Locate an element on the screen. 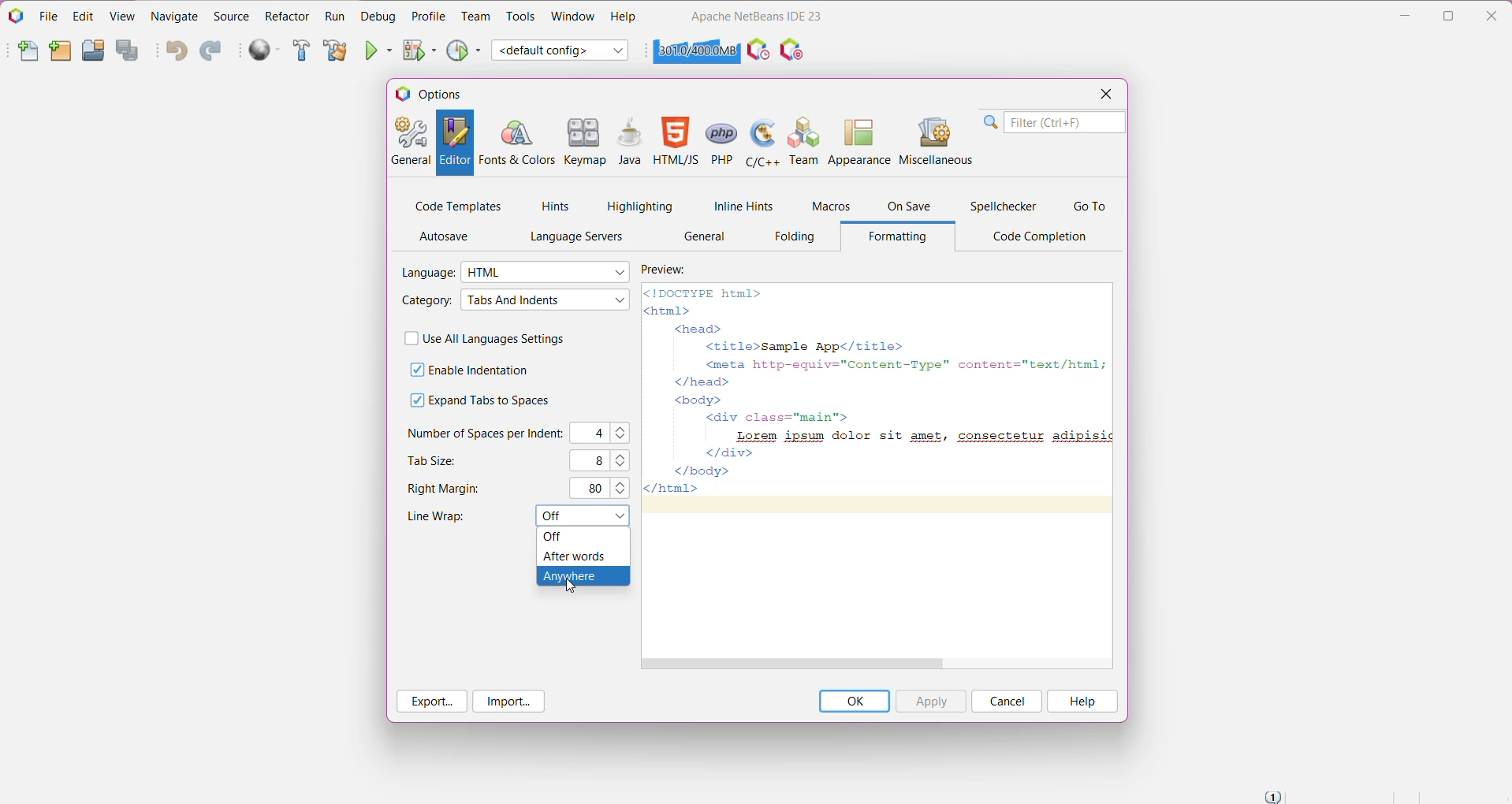 This screenshot has width=1512, height=804. AutoSave is located at coordinates (448, 236).